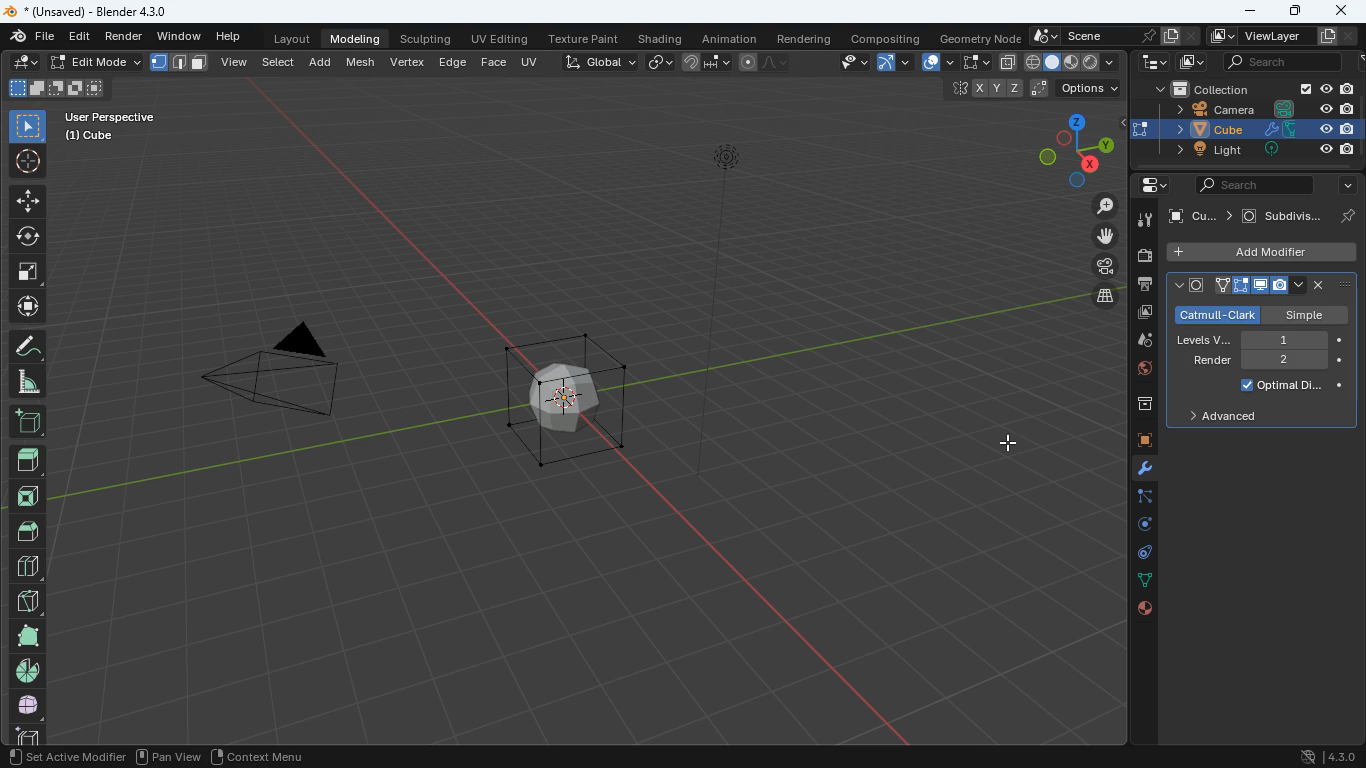 This screenshot has width=1366, height=768. Describe the element at coordinates (28, 708) in the screenshot. I see `whole` at that location.